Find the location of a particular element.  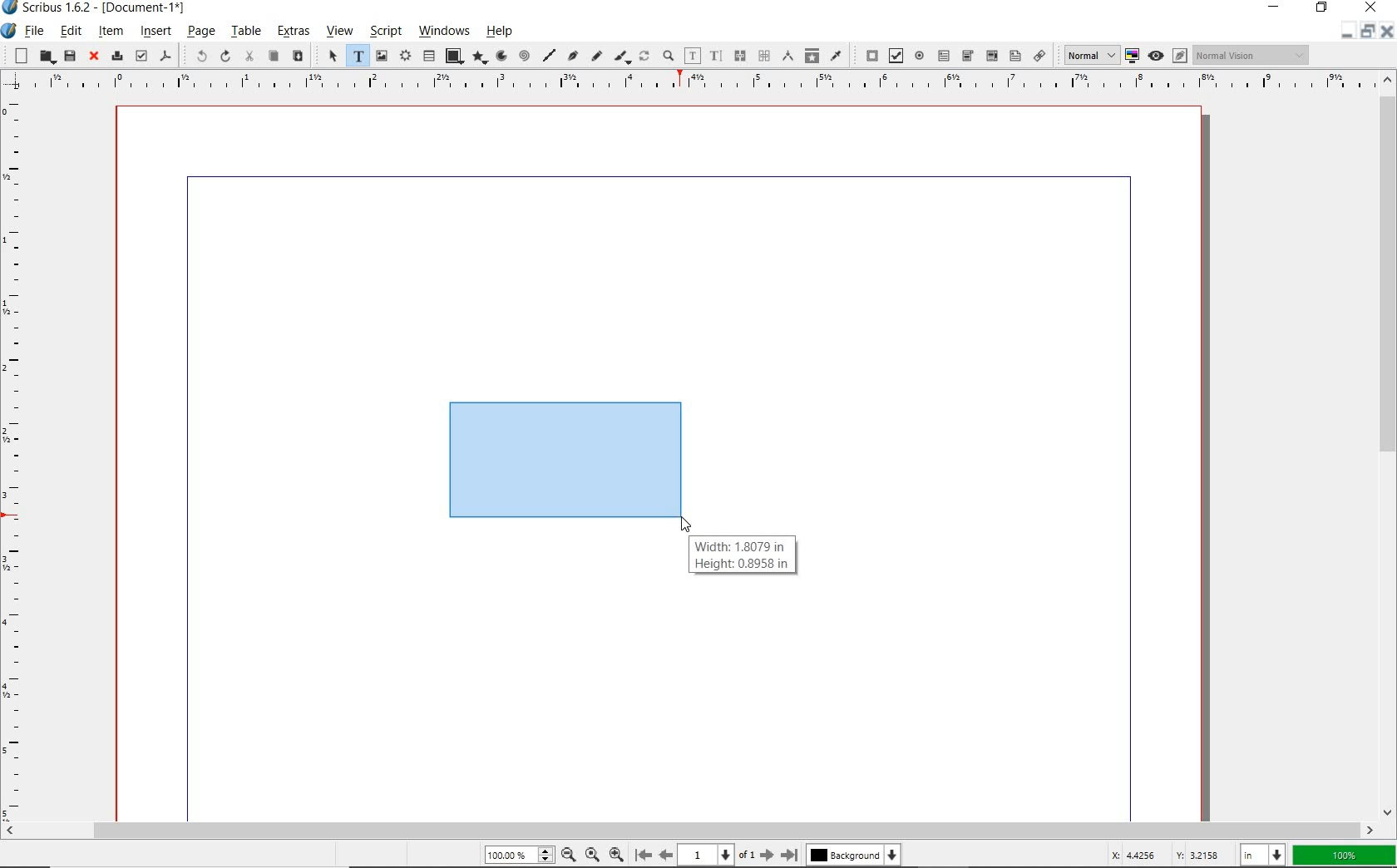

arc is located at coordinates (502, 56).